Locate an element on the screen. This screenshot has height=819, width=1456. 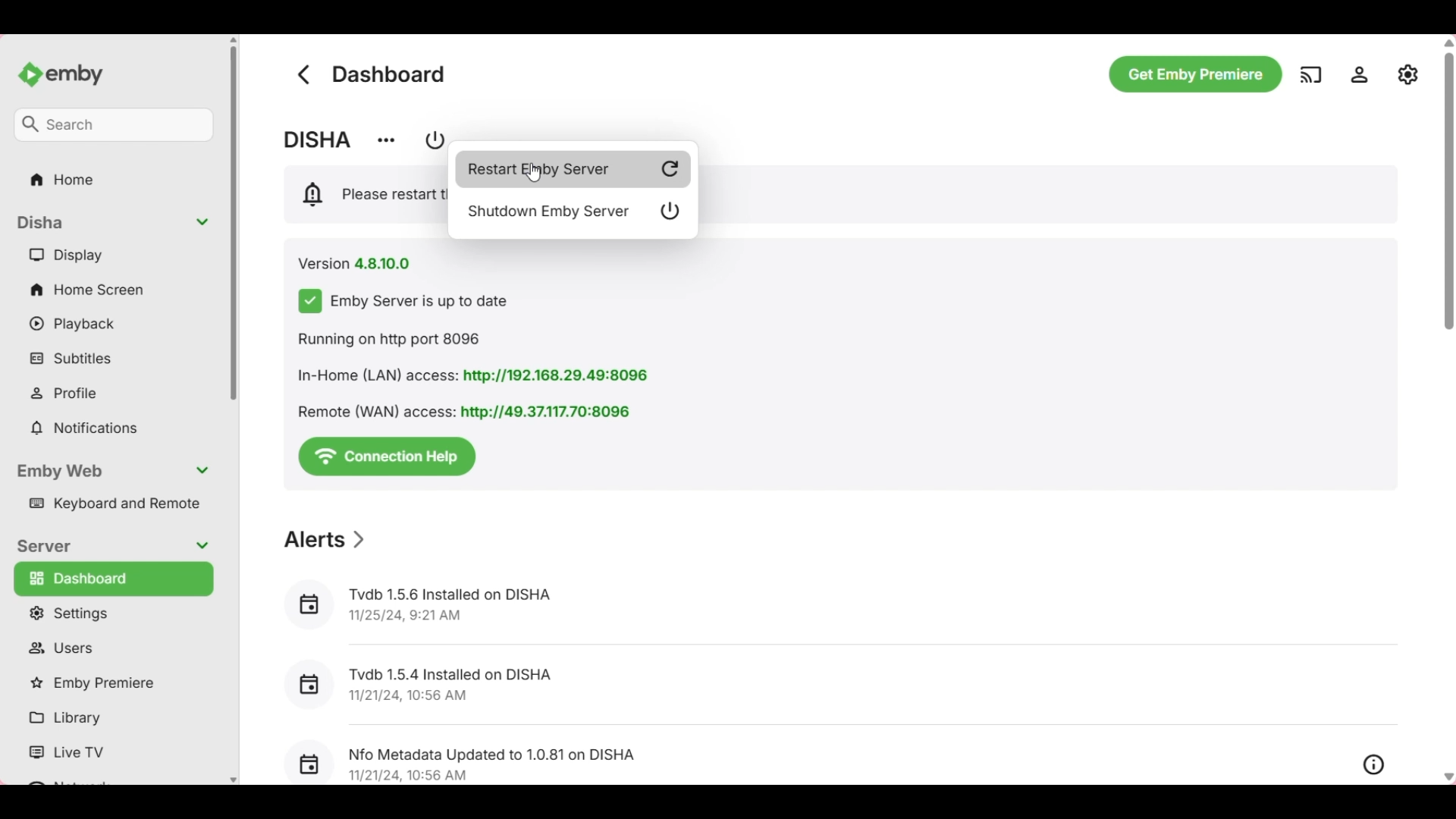
Recent alert is located at coordinates (839, 684).